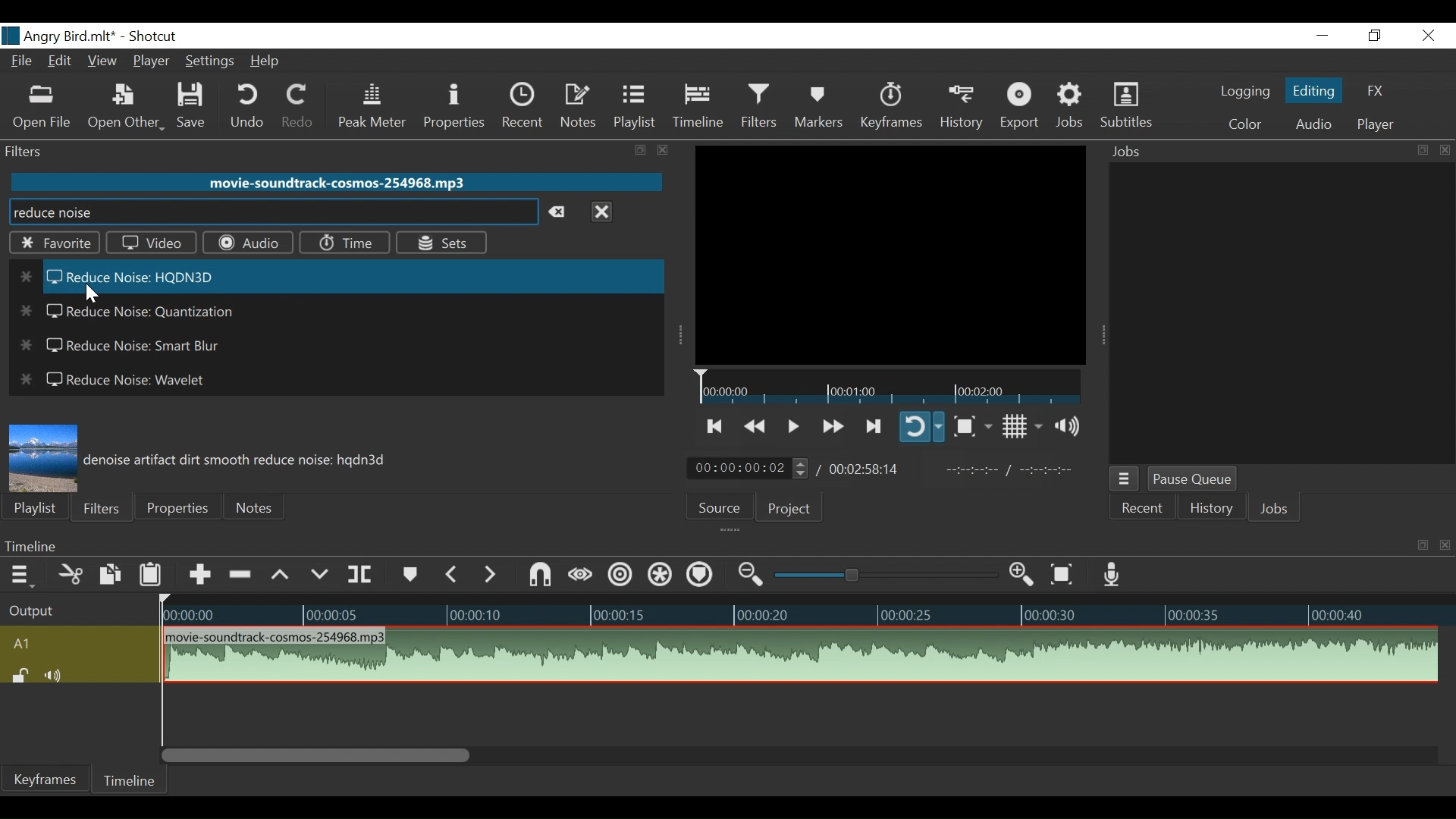  What do you see at coordinates (42, 453) in the screenshot?
I see `Picture` at bounding box center [42, 453].